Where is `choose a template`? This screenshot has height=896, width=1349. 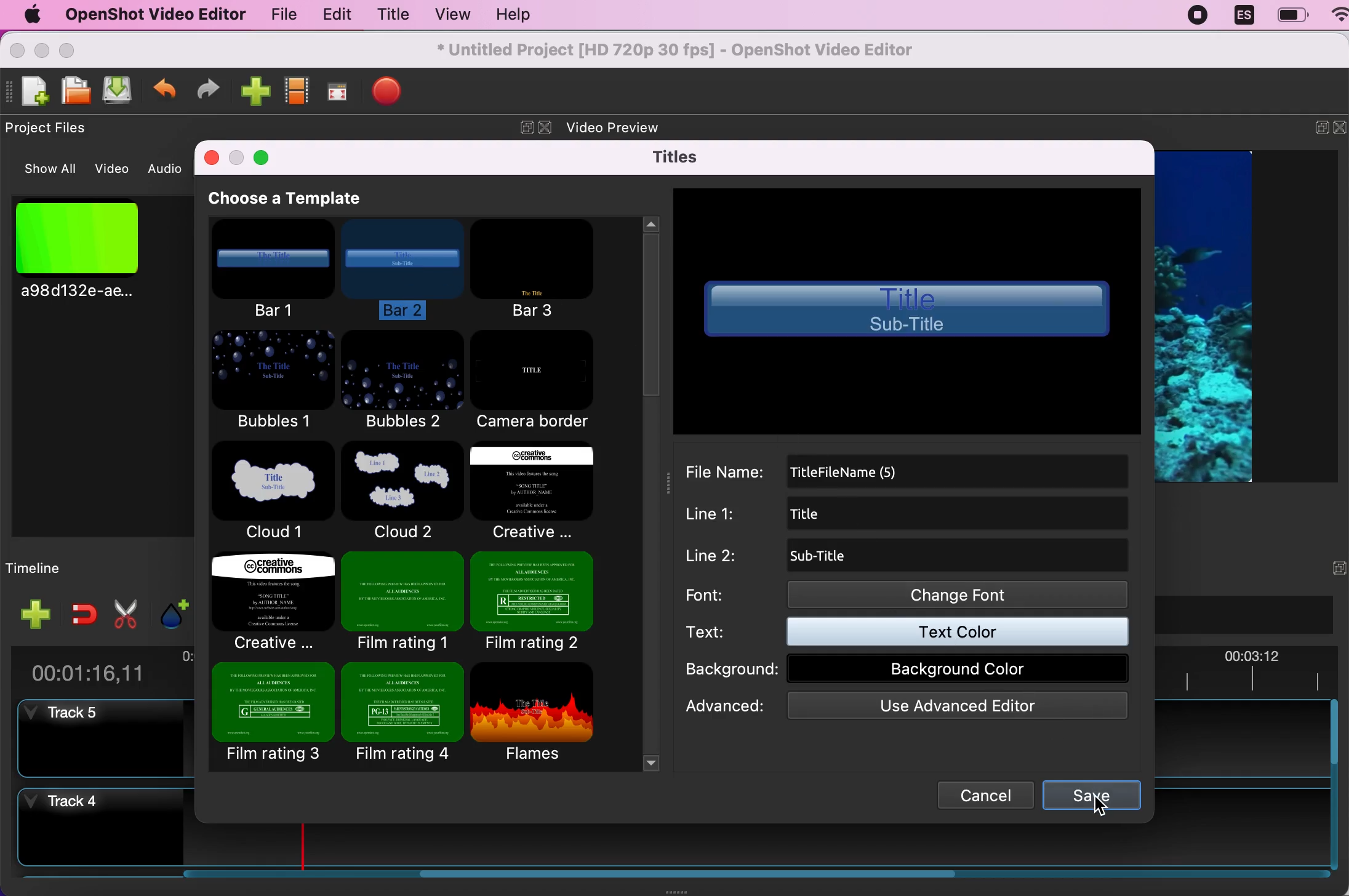 choose a template is located at coordinates (310, 199).